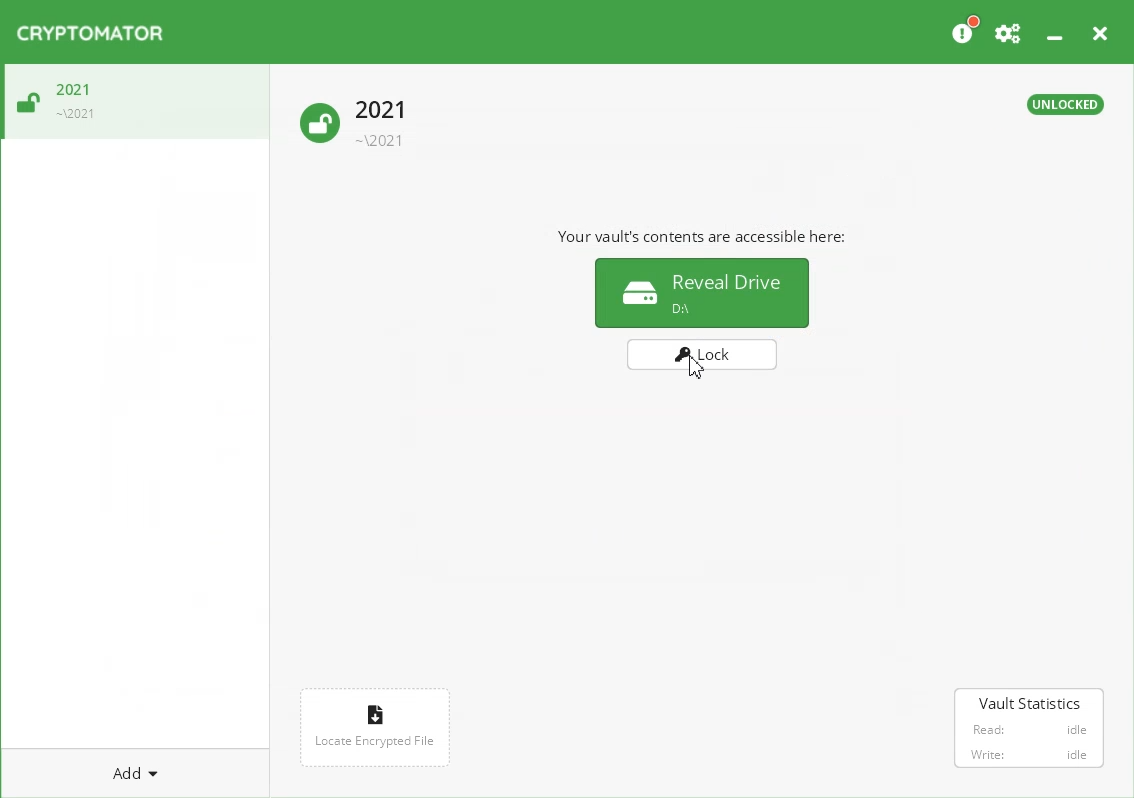  Describe the element at coordinates (135, 772) in the screenshot. I see `Add` at that location.